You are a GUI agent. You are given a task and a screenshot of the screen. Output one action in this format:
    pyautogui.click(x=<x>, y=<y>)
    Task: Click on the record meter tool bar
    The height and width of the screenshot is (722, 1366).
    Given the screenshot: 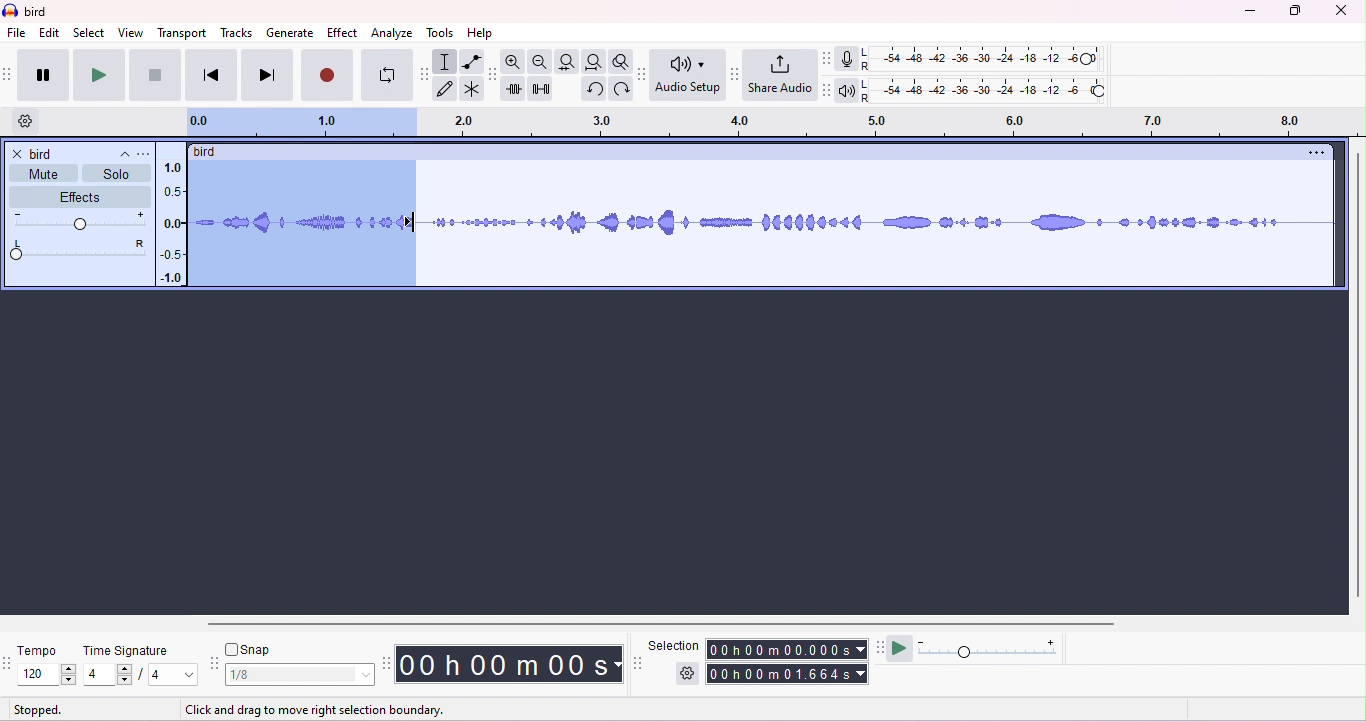 What is the action you would take?
    pyautogui.click(x=830, y=59)
    